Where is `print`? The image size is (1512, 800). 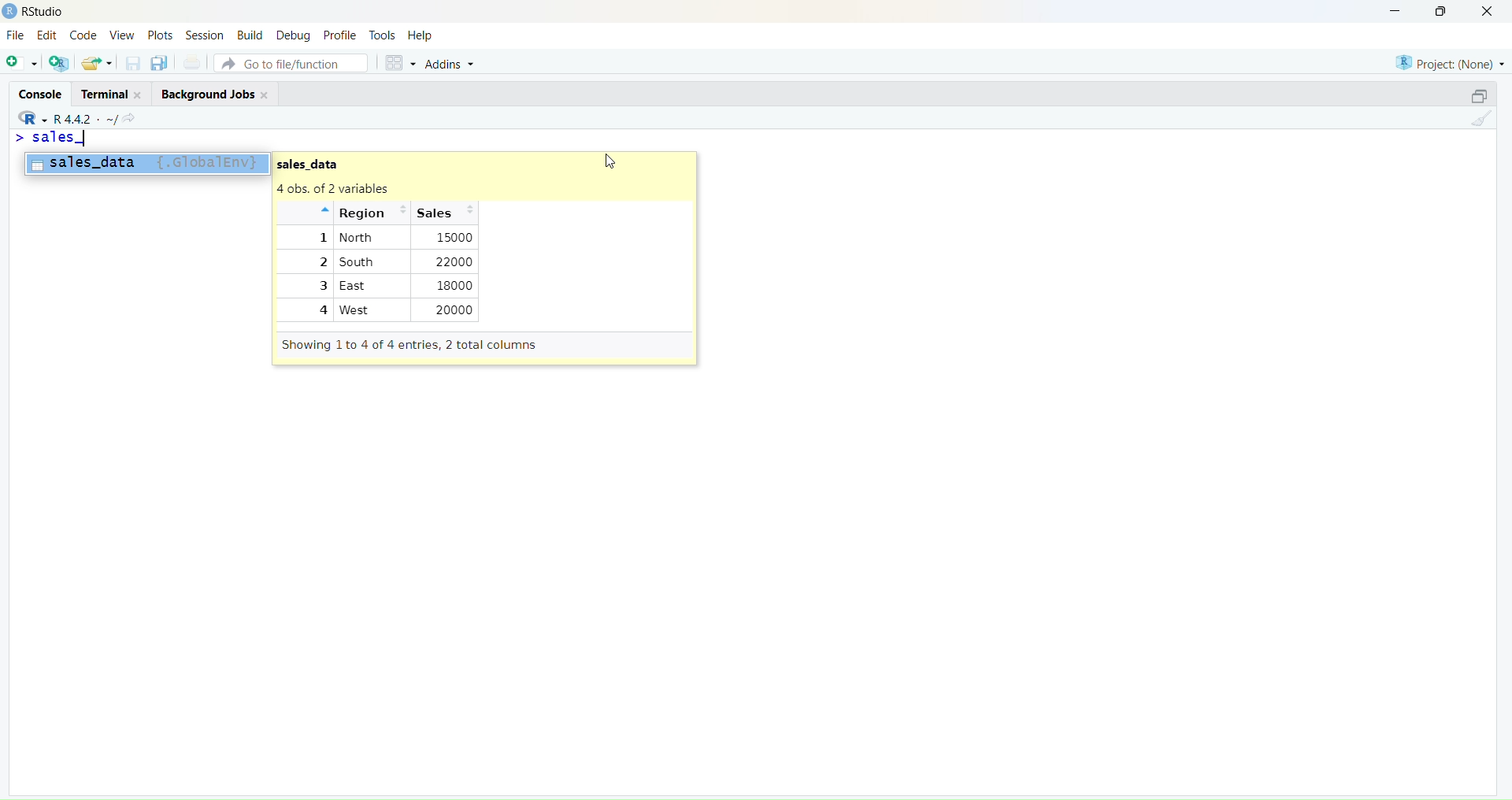
print is located at coordinates (192, 65).